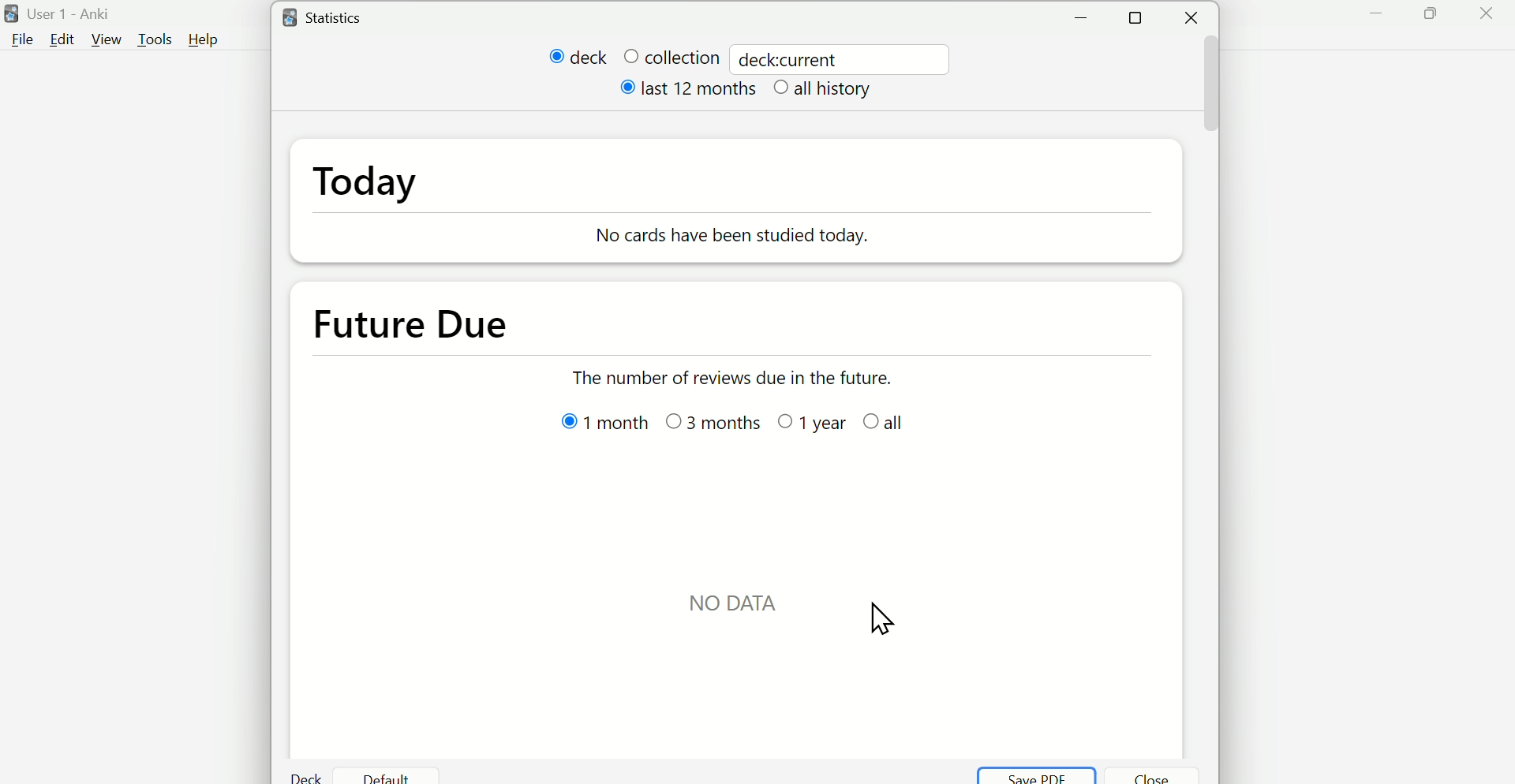  I want to click on 1 year, so click(810, 424).